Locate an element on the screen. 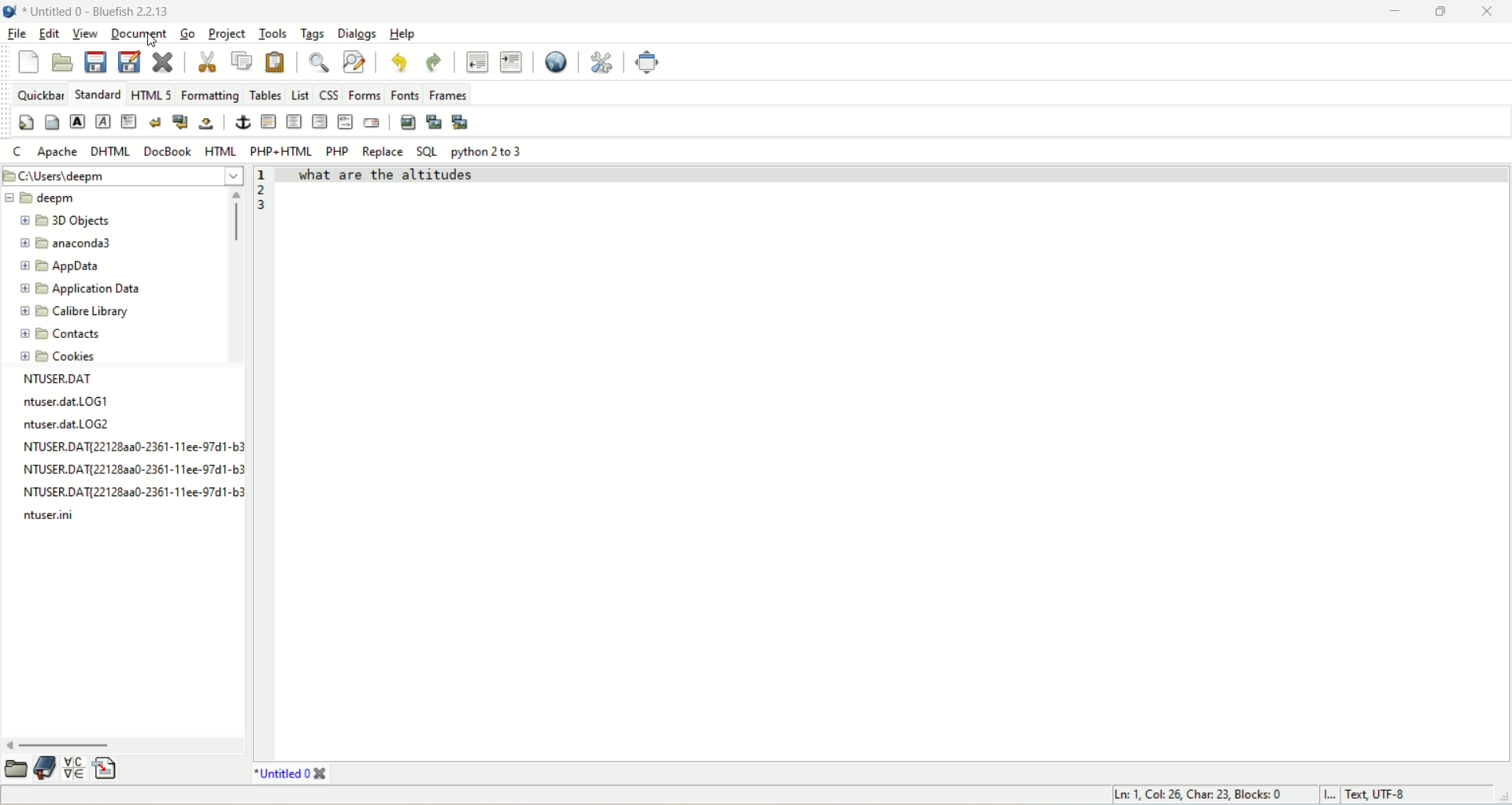 This screenshot has height=805, width=1512. right justify is located at coordinates (322, 121).